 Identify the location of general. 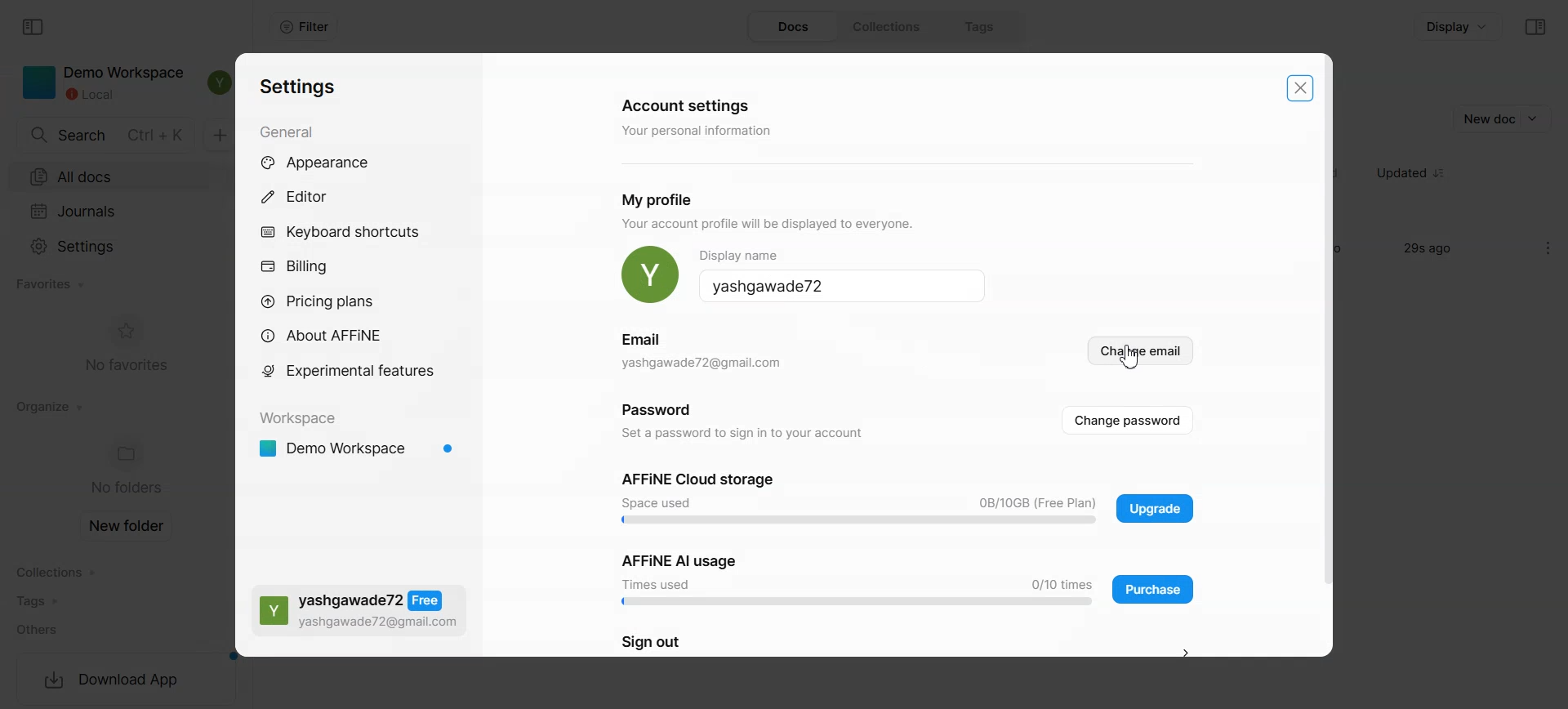
(289, 132).